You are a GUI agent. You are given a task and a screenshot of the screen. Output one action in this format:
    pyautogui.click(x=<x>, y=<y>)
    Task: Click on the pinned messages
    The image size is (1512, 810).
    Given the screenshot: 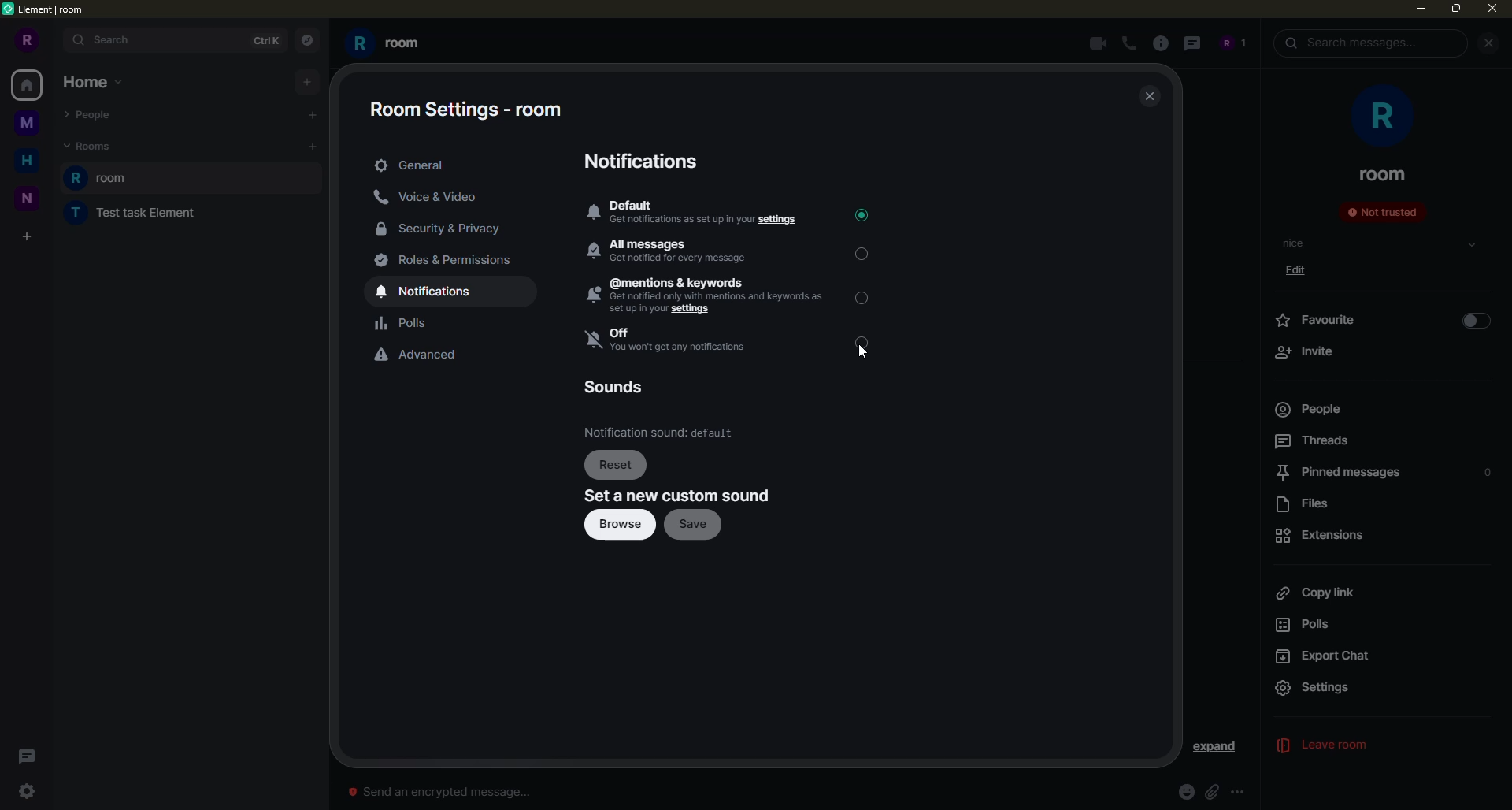 What is the action you would take?
    pyautogui.click(x=1336, y=473)
    